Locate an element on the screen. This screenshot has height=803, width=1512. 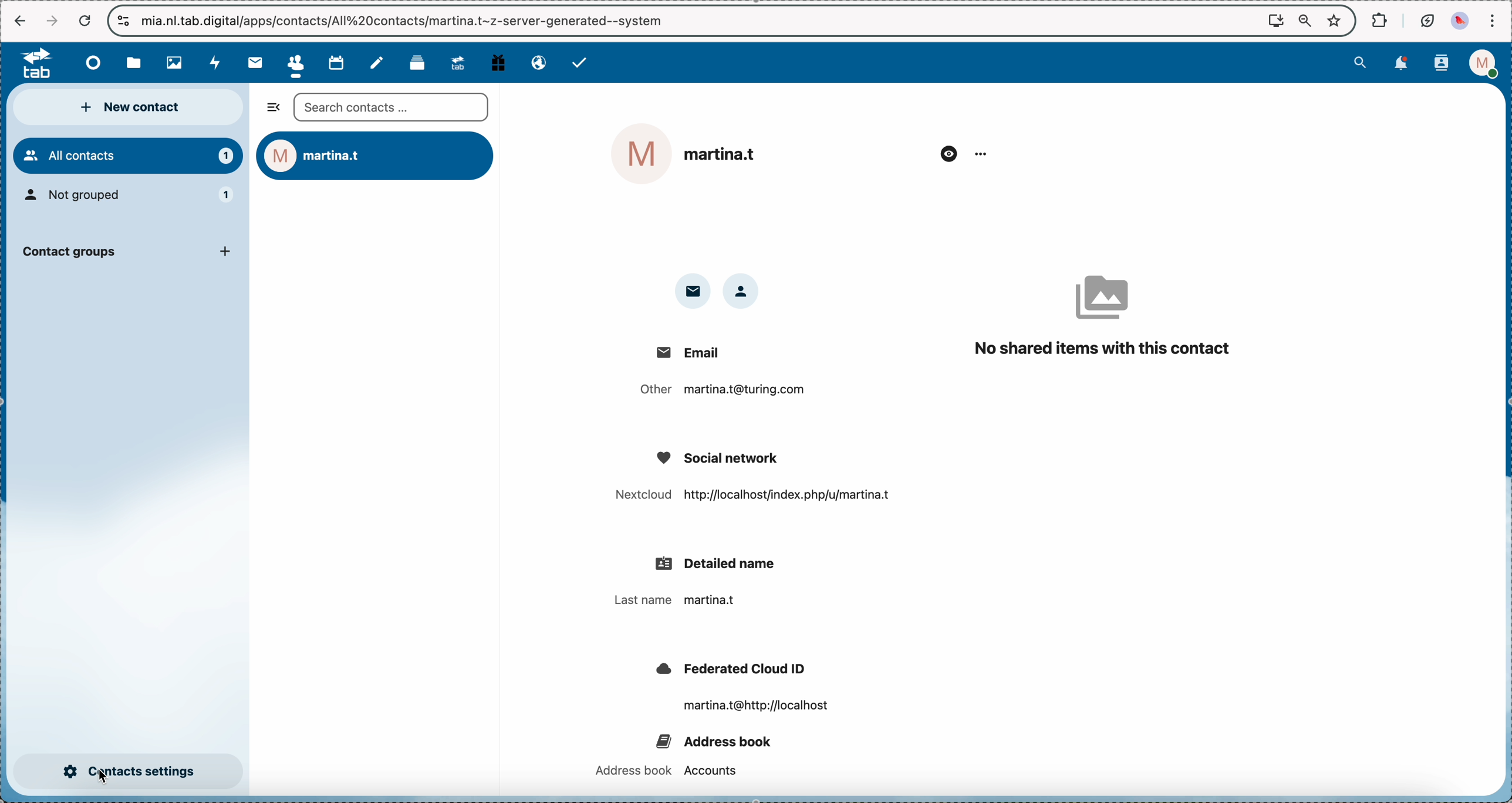
deck is located at coordinates (416, 63).